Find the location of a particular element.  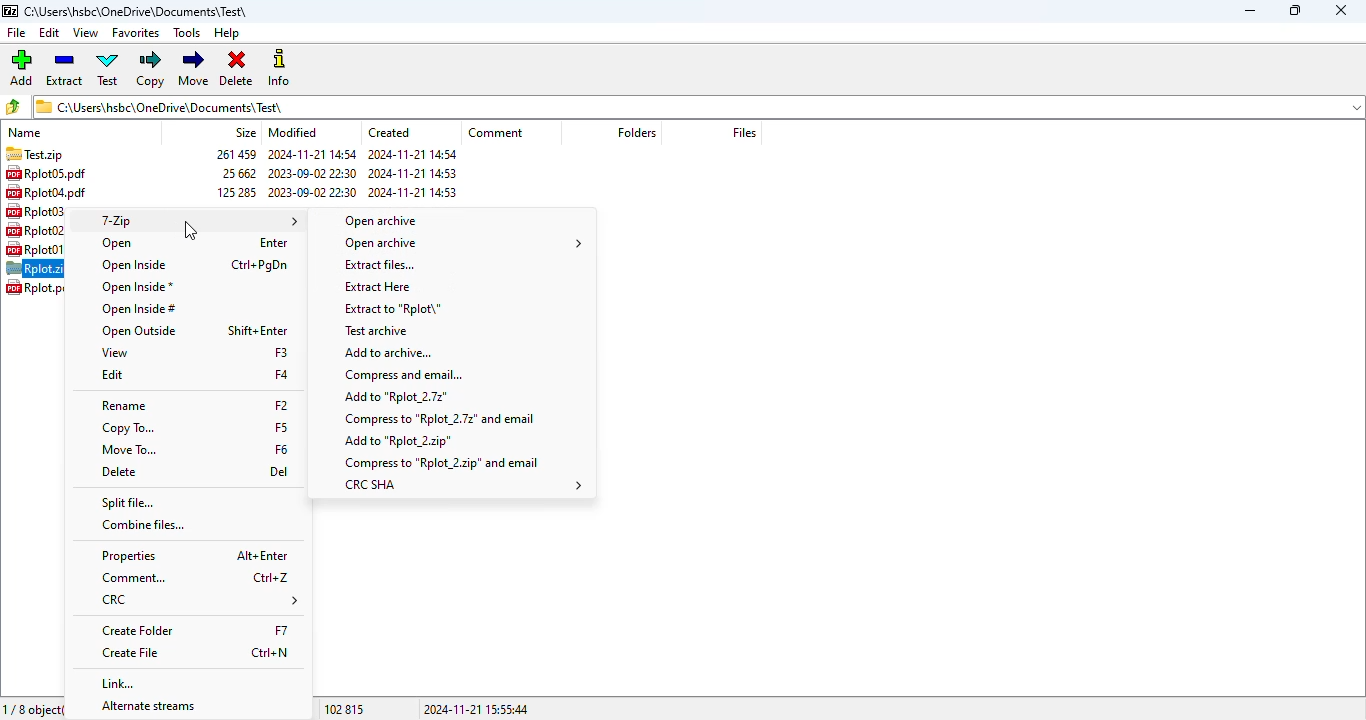

shortcut for move to is located at coordinates (283, 450).